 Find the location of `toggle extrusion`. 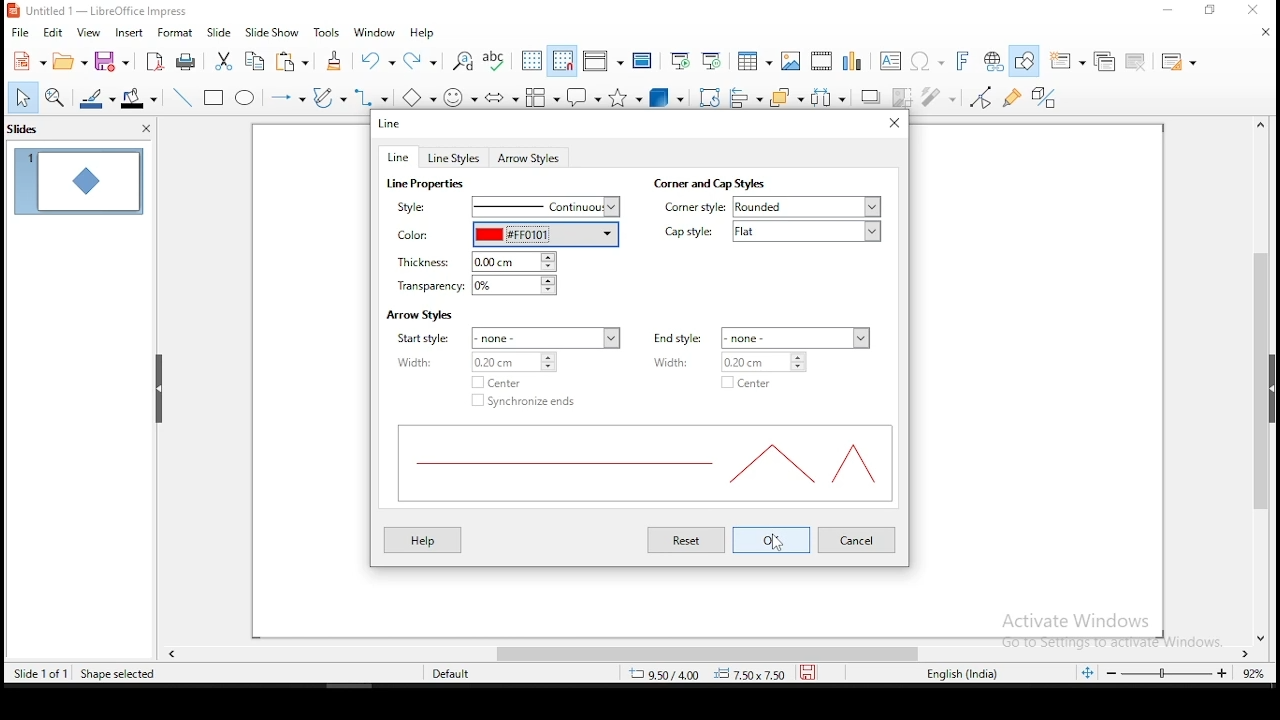

toggle extrusion is located at coordinates (1045, 99).